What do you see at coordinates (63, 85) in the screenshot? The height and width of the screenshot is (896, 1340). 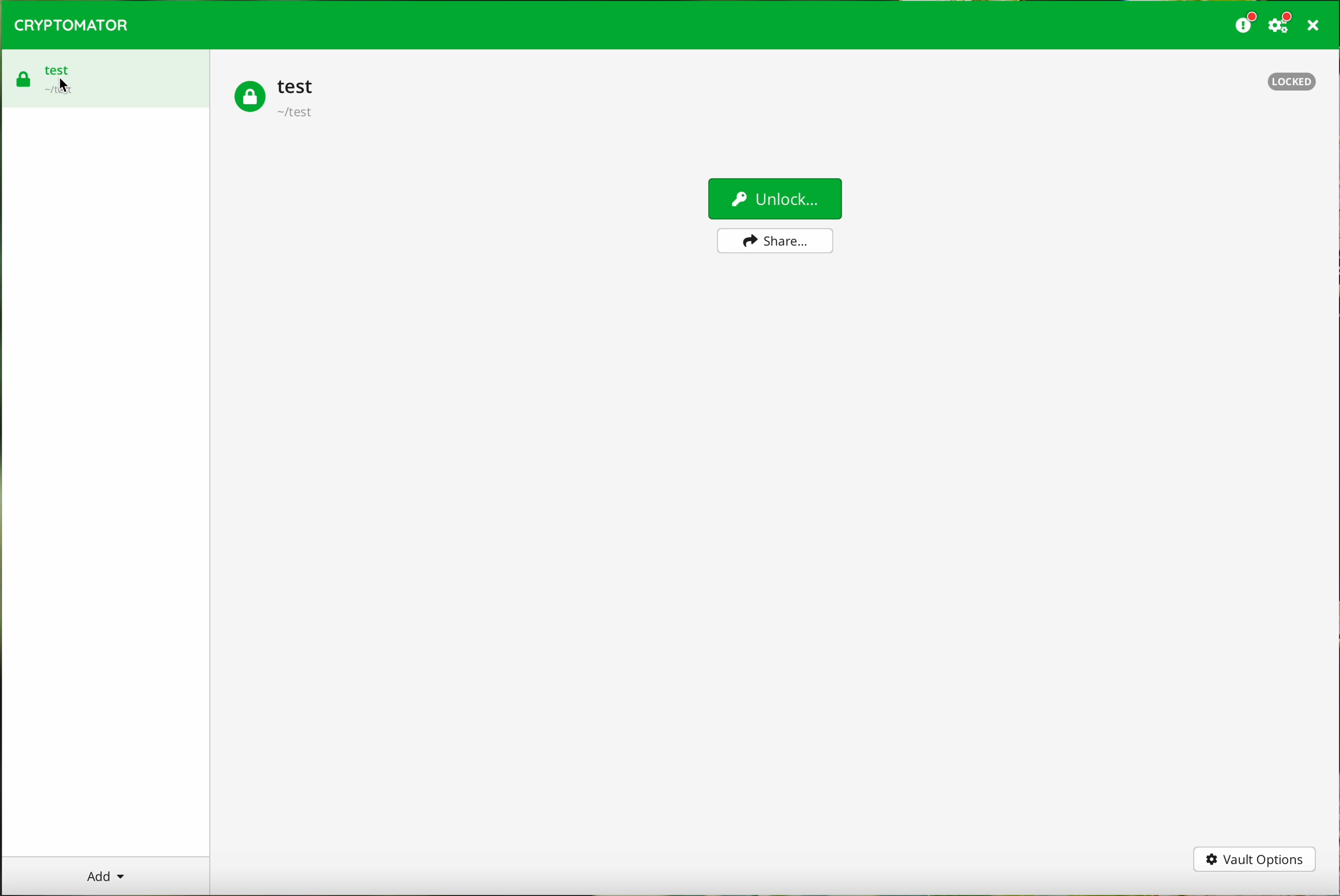 I see `cursor` at bounding box center [63, 85].